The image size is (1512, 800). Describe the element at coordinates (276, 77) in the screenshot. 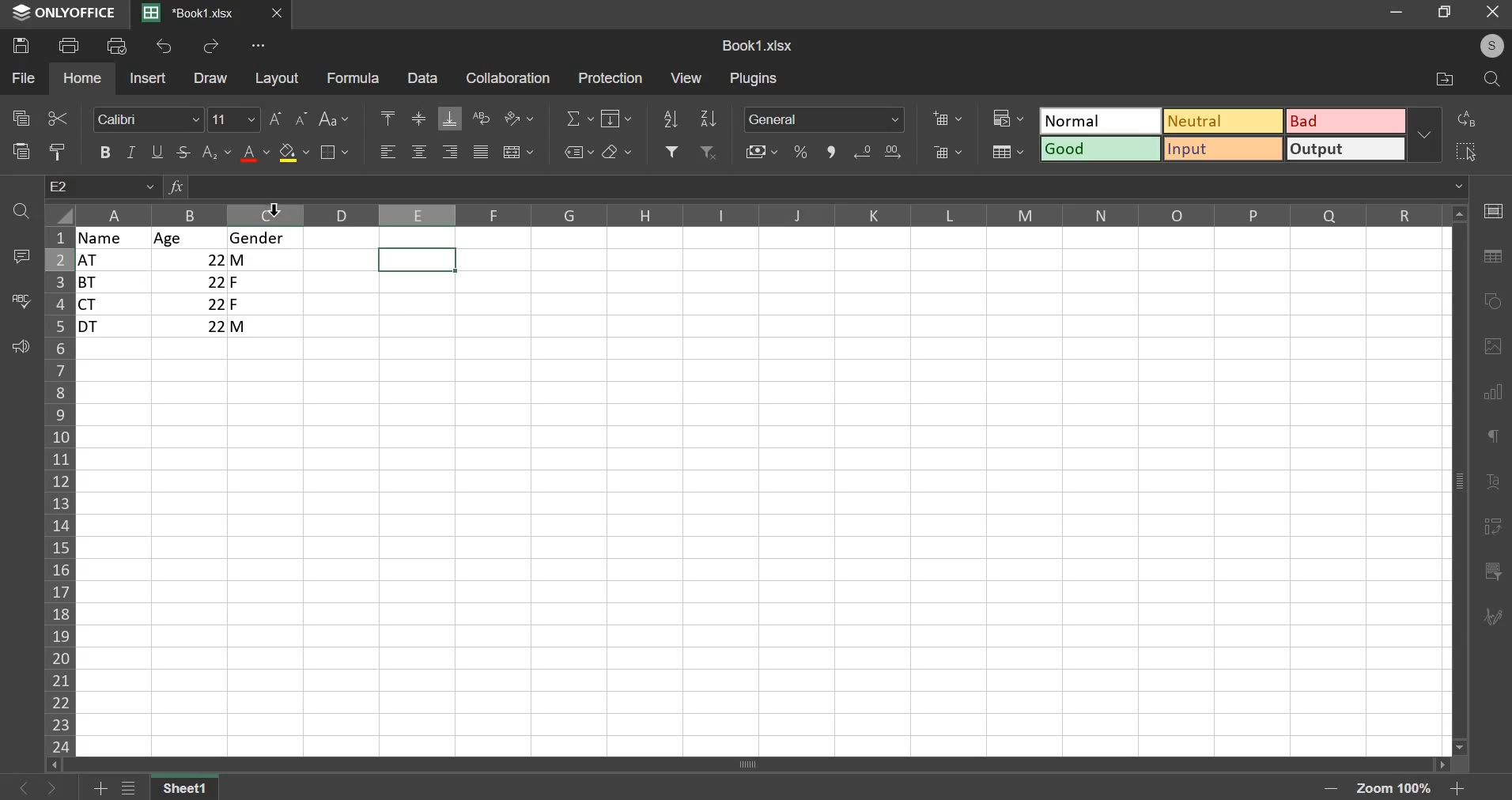

I see `layout` at that location.